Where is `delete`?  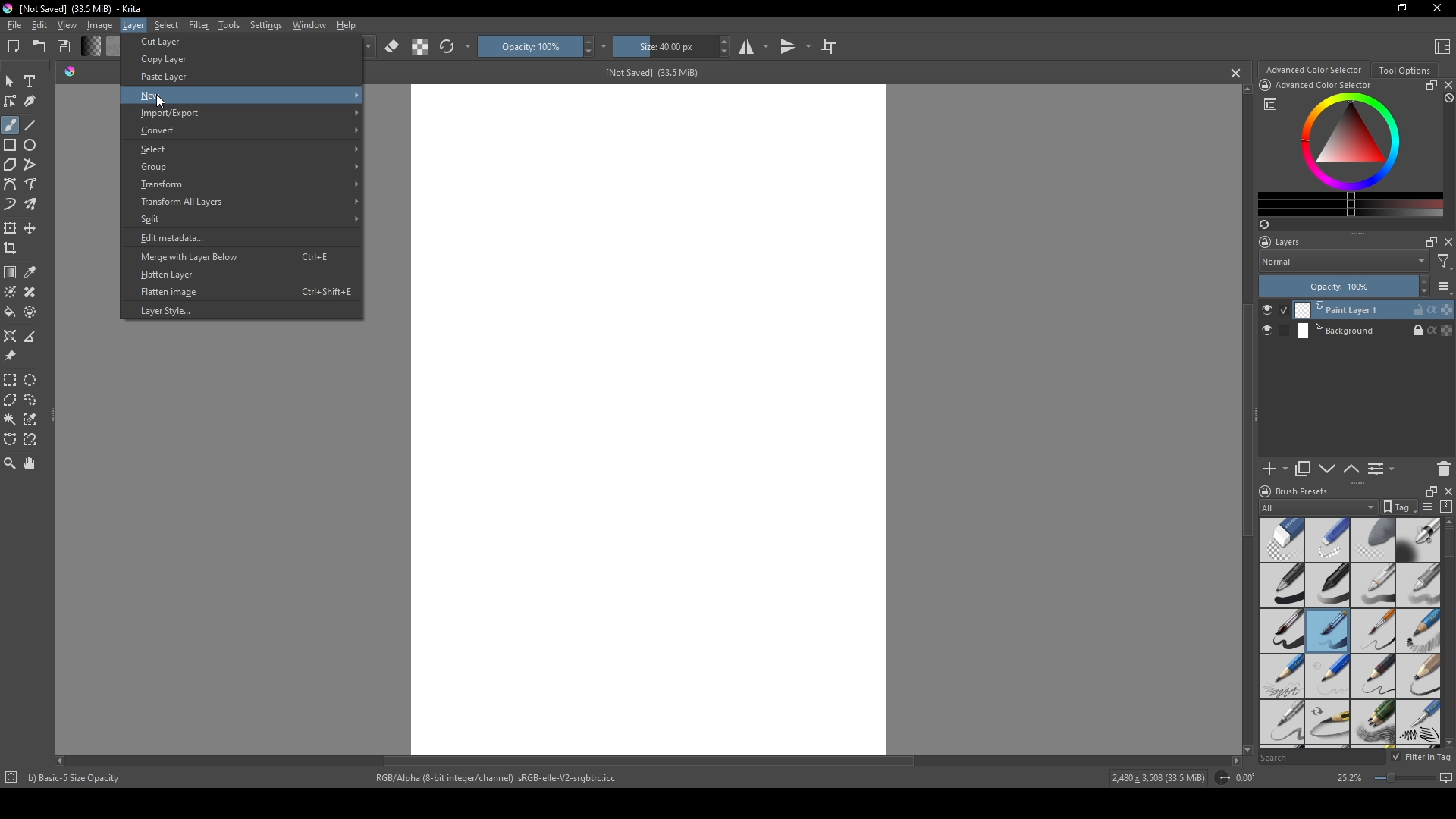 delete is located at coordinates (1444, 469).